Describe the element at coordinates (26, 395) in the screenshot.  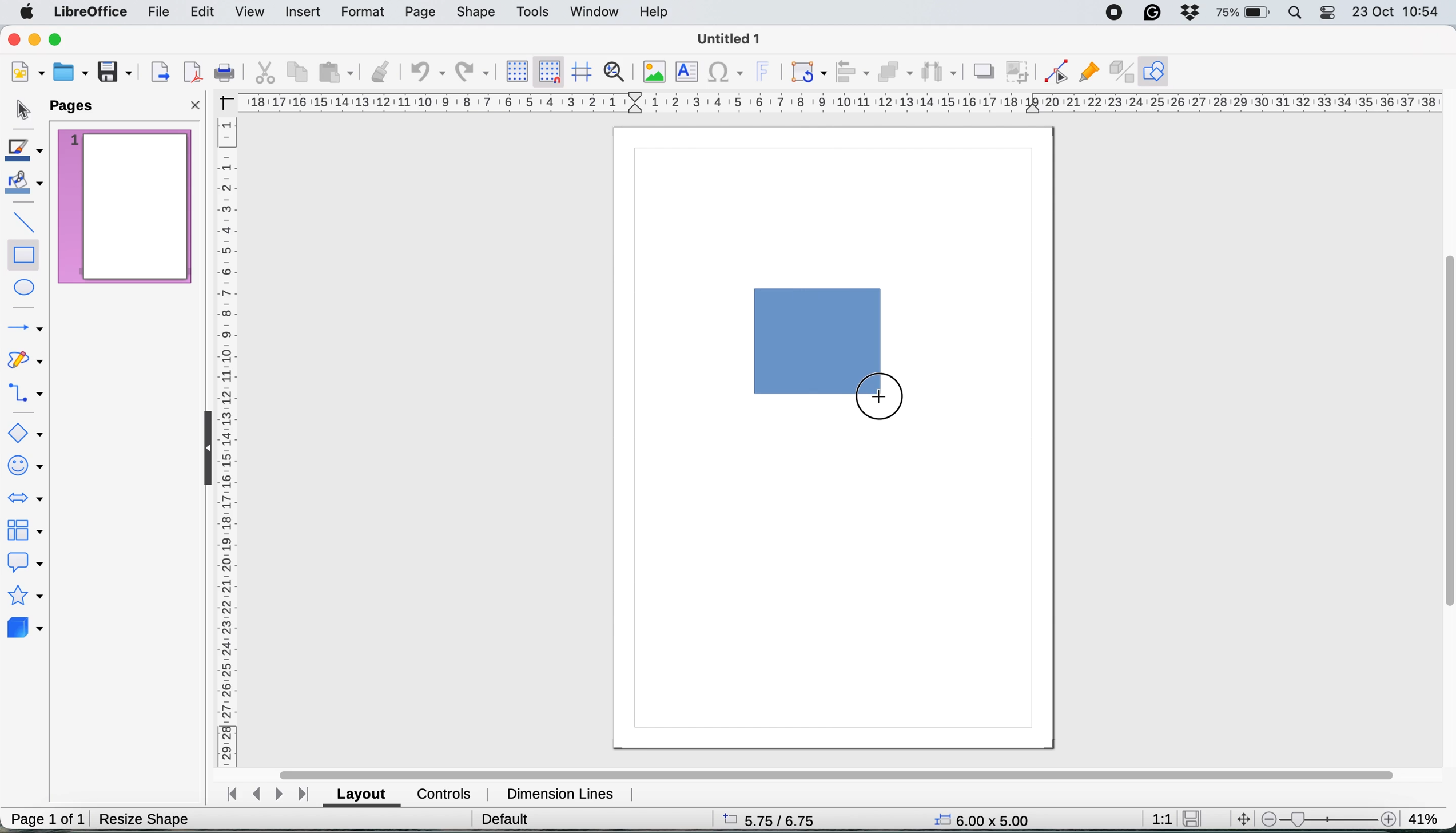
I see `connectors` at that location.